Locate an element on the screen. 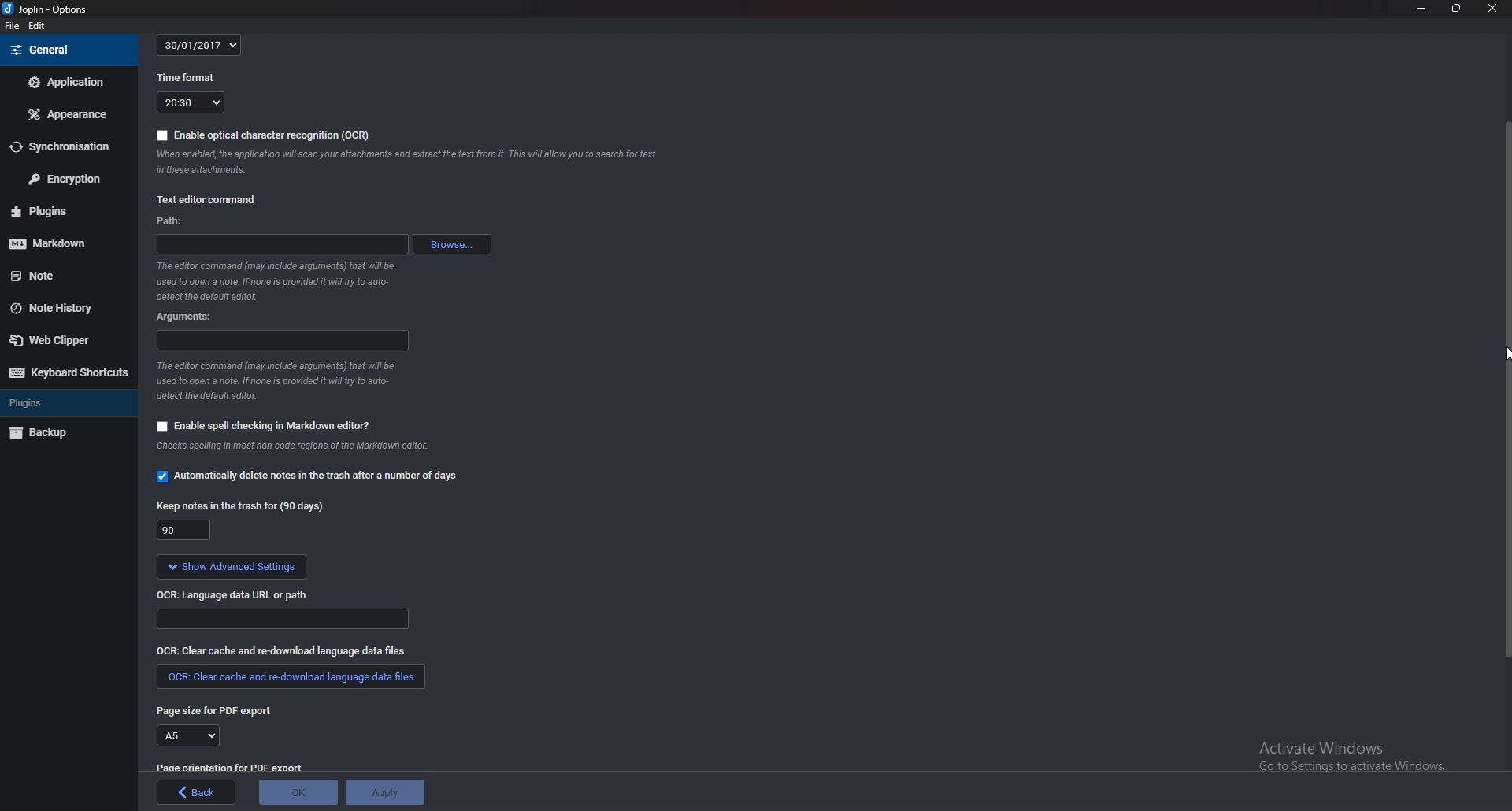 The image size is (1512, 811). Minimize is located at coordinates (1422, 9).